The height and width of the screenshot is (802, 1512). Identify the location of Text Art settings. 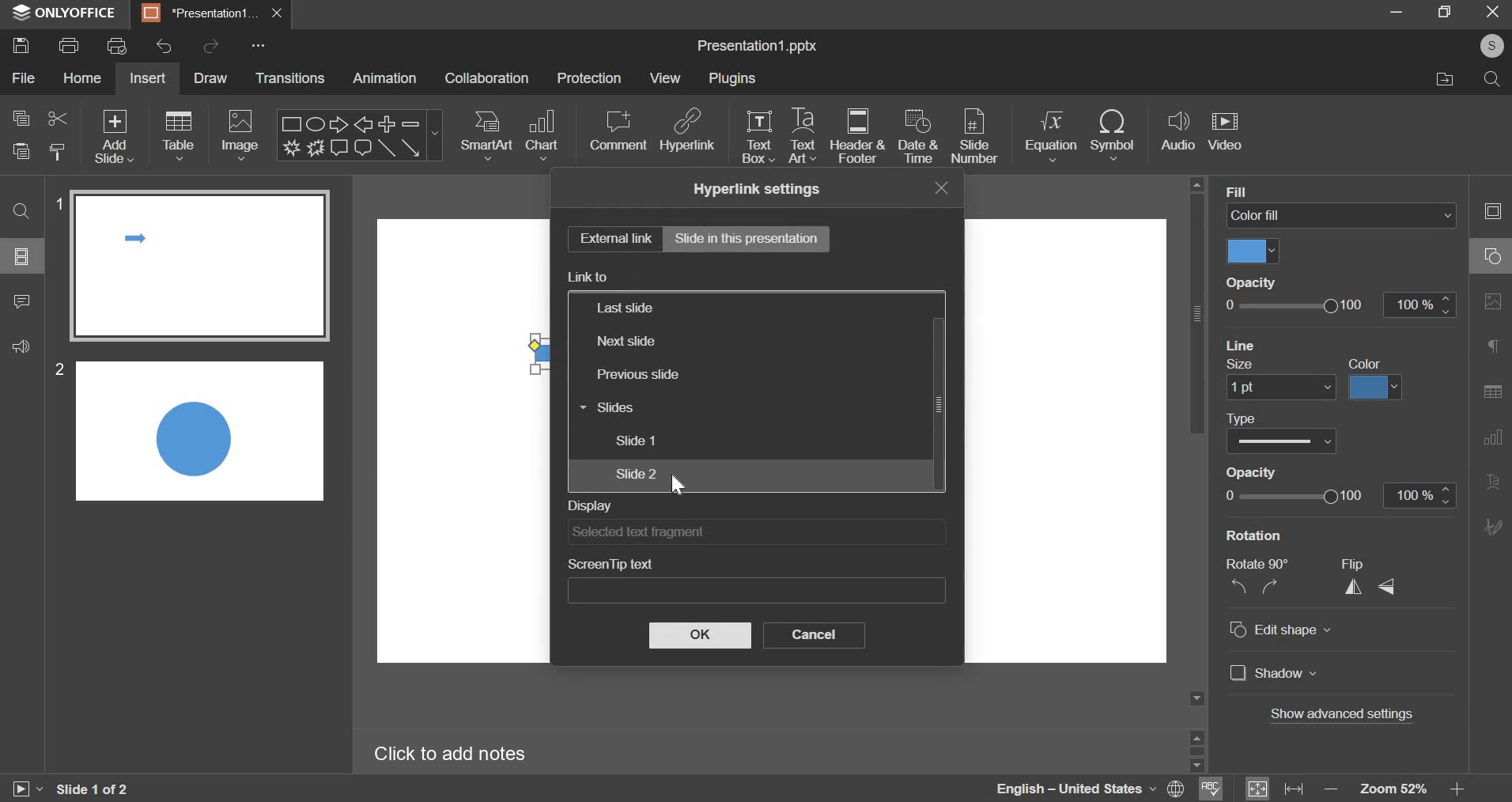
(1495, 481).